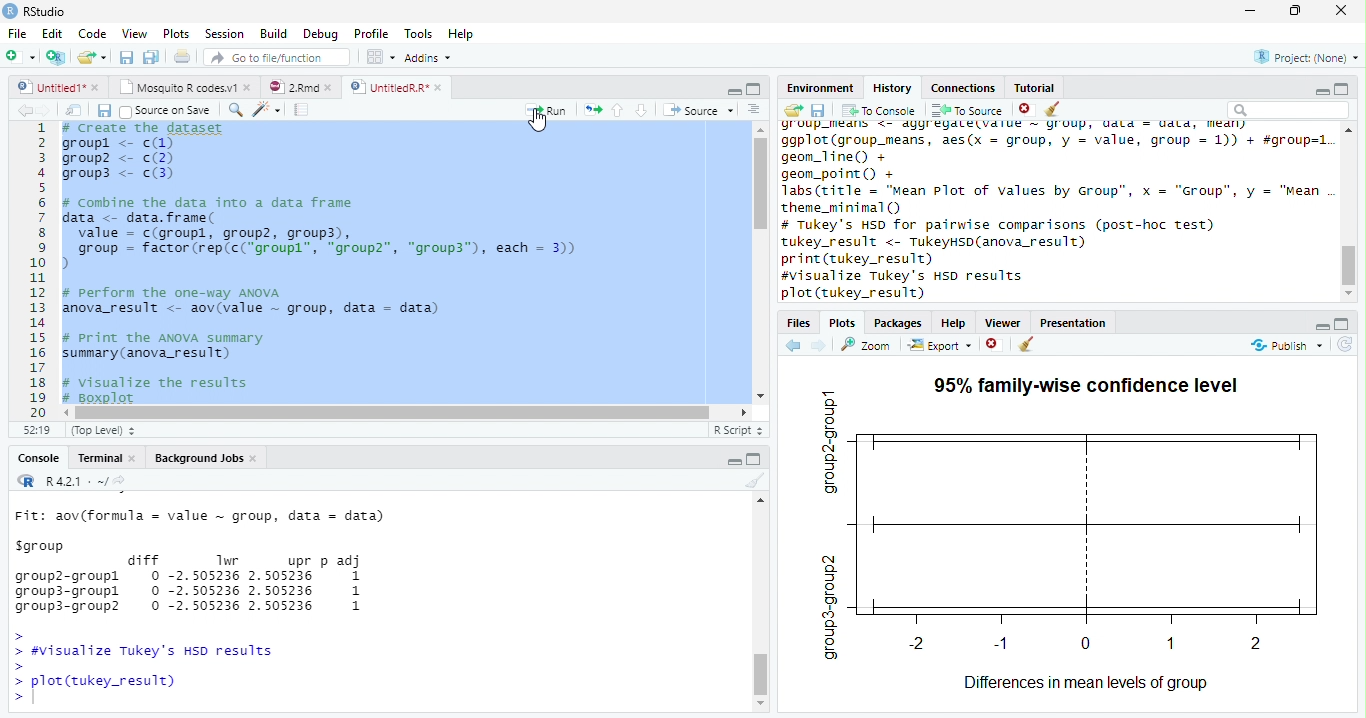 This screenshot has width=1366, height=718. What do you see at coordinates (893, 87) in the screenshot?
I see `History` at bounding box center [893, 87].